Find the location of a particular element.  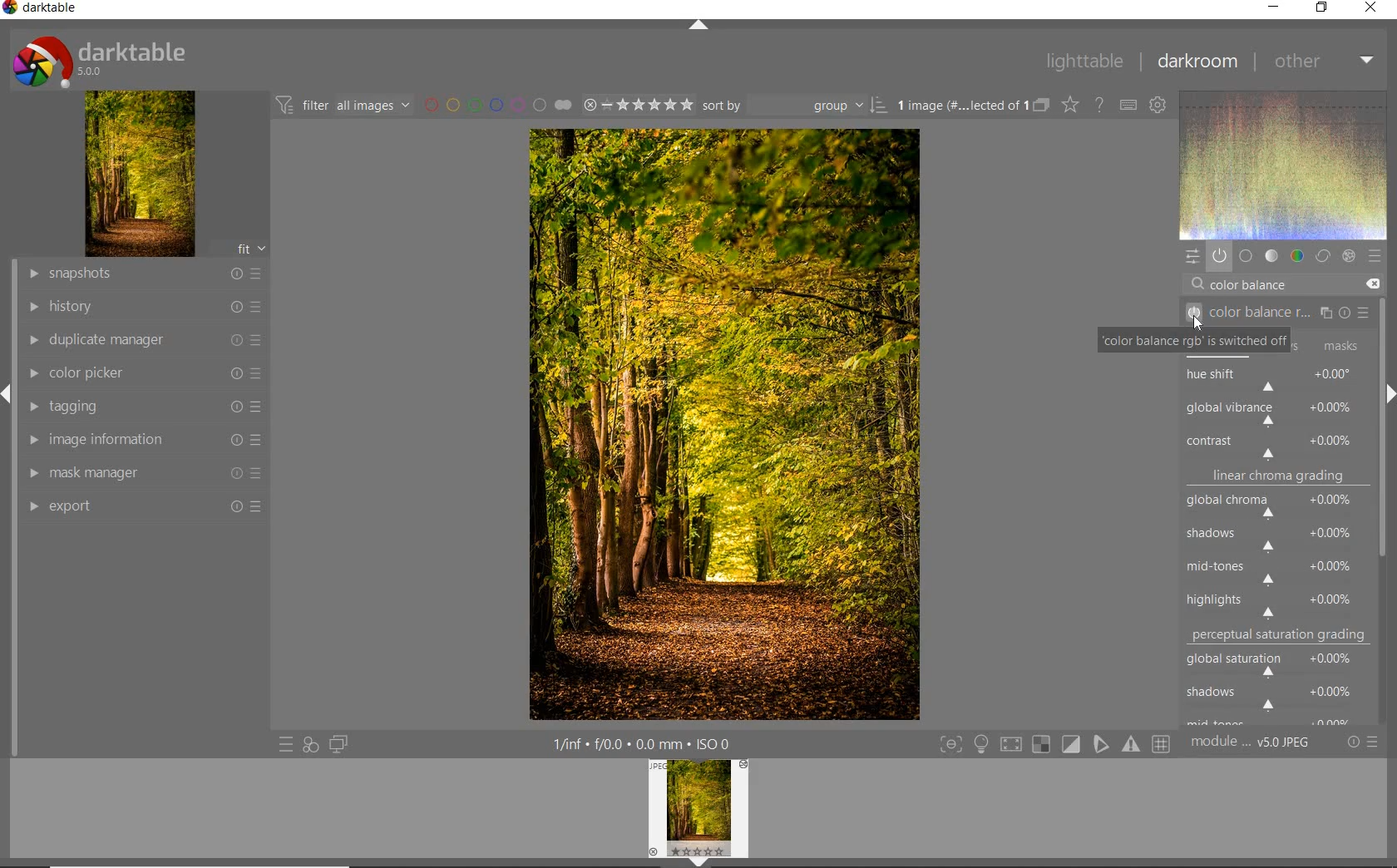

highlights is located at coordinates (1281, 601).